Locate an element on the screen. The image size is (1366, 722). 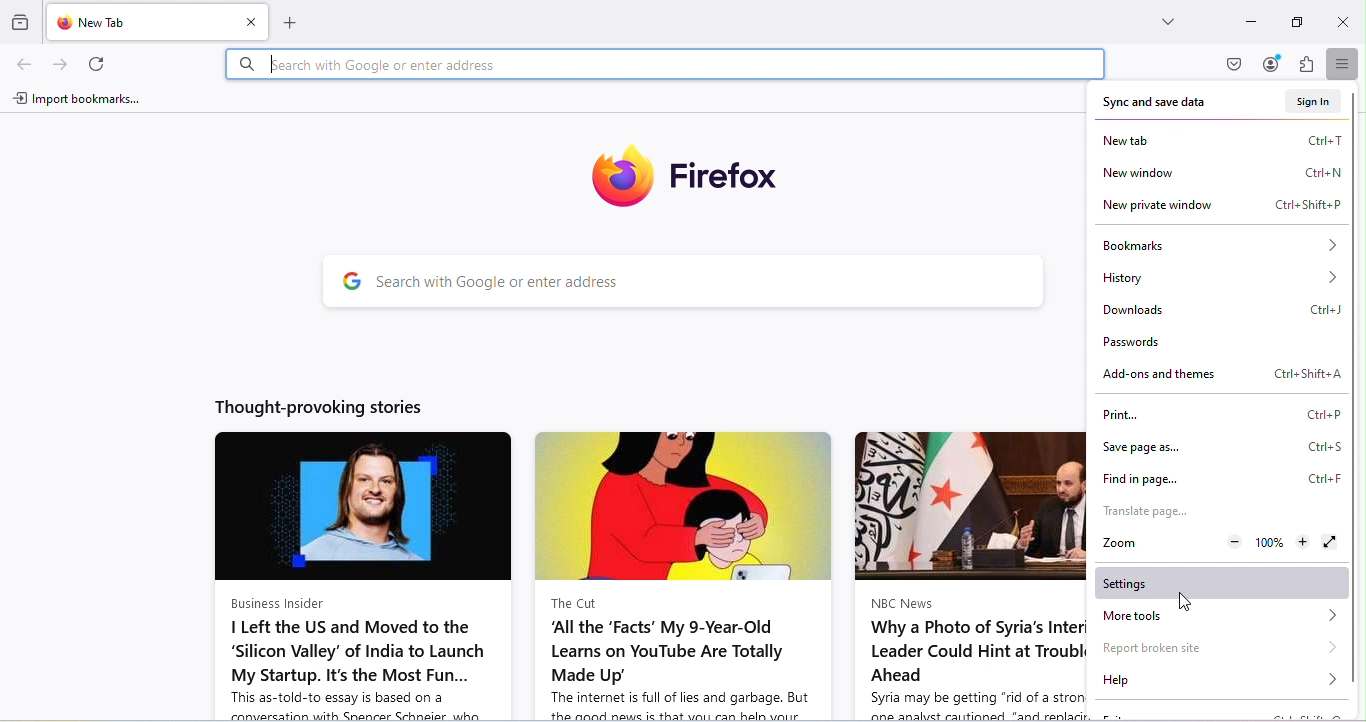
Reset zoom level is located at coordinates (1267, 545).